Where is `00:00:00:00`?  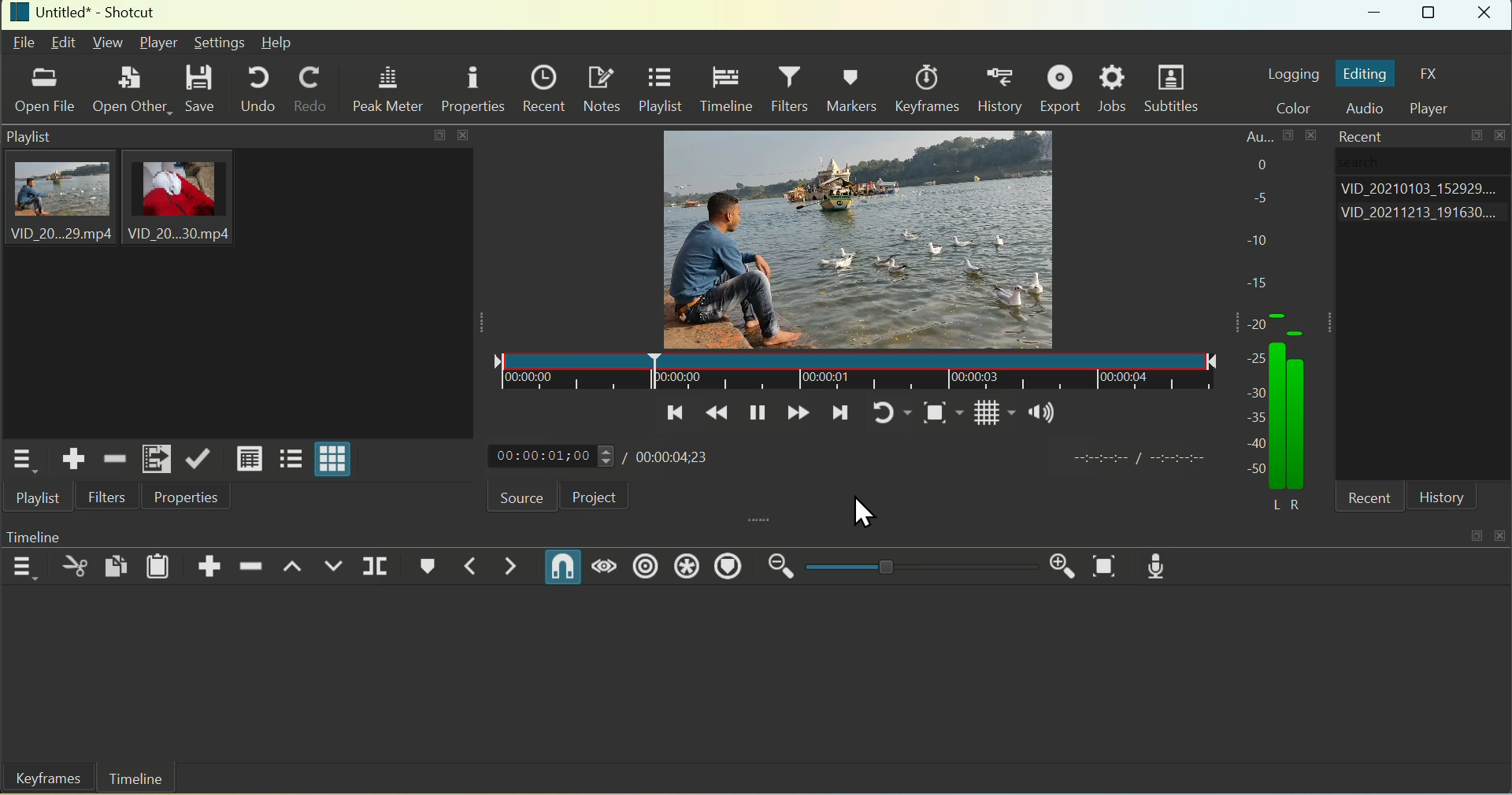 00:00:00:00 is located at coordinates (547, 457).